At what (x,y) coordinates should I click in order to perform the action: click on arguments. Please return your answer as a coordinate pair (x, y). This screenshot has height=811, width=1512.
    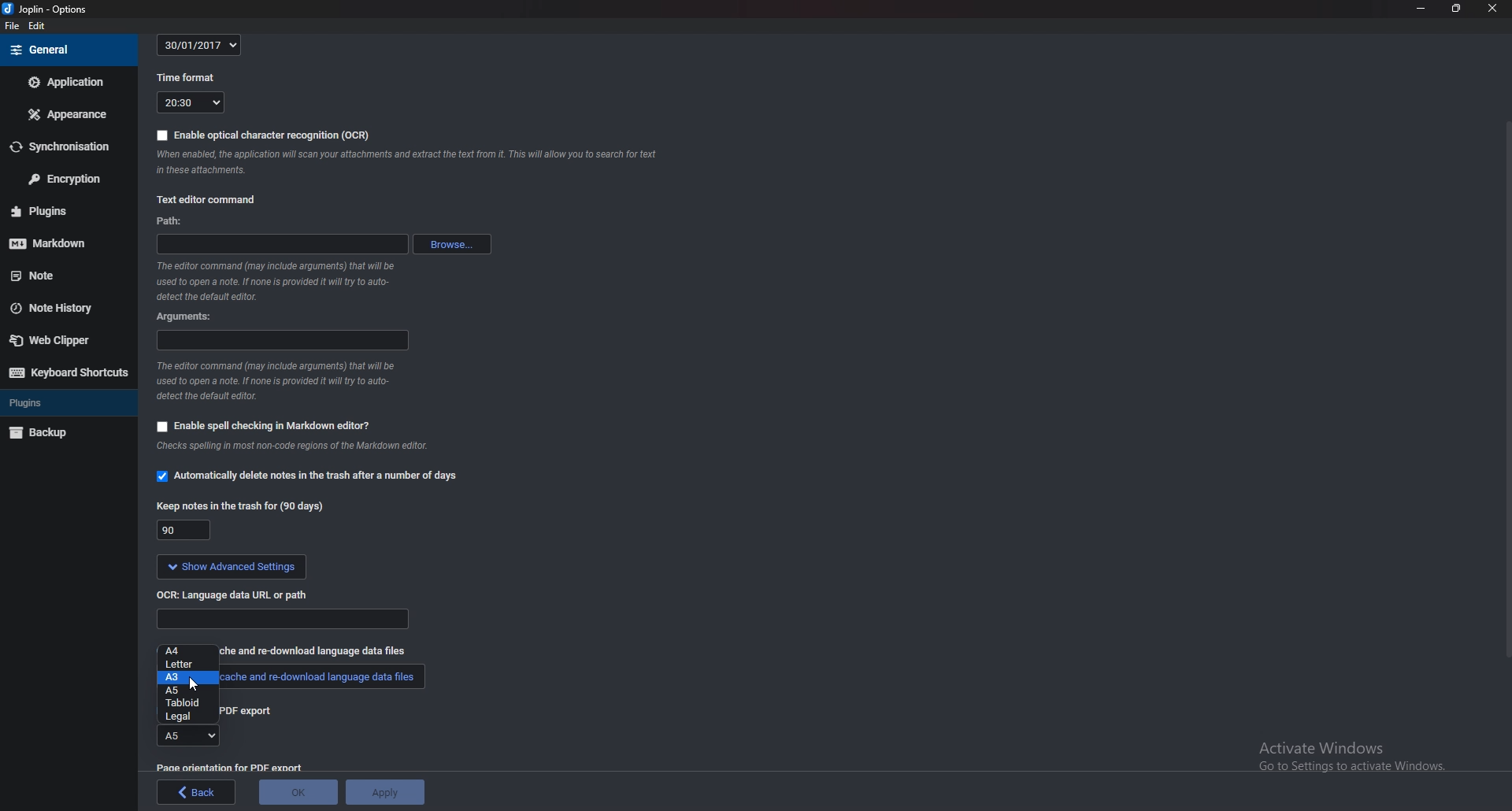
    Looking at the image, I should click on (281, 341).